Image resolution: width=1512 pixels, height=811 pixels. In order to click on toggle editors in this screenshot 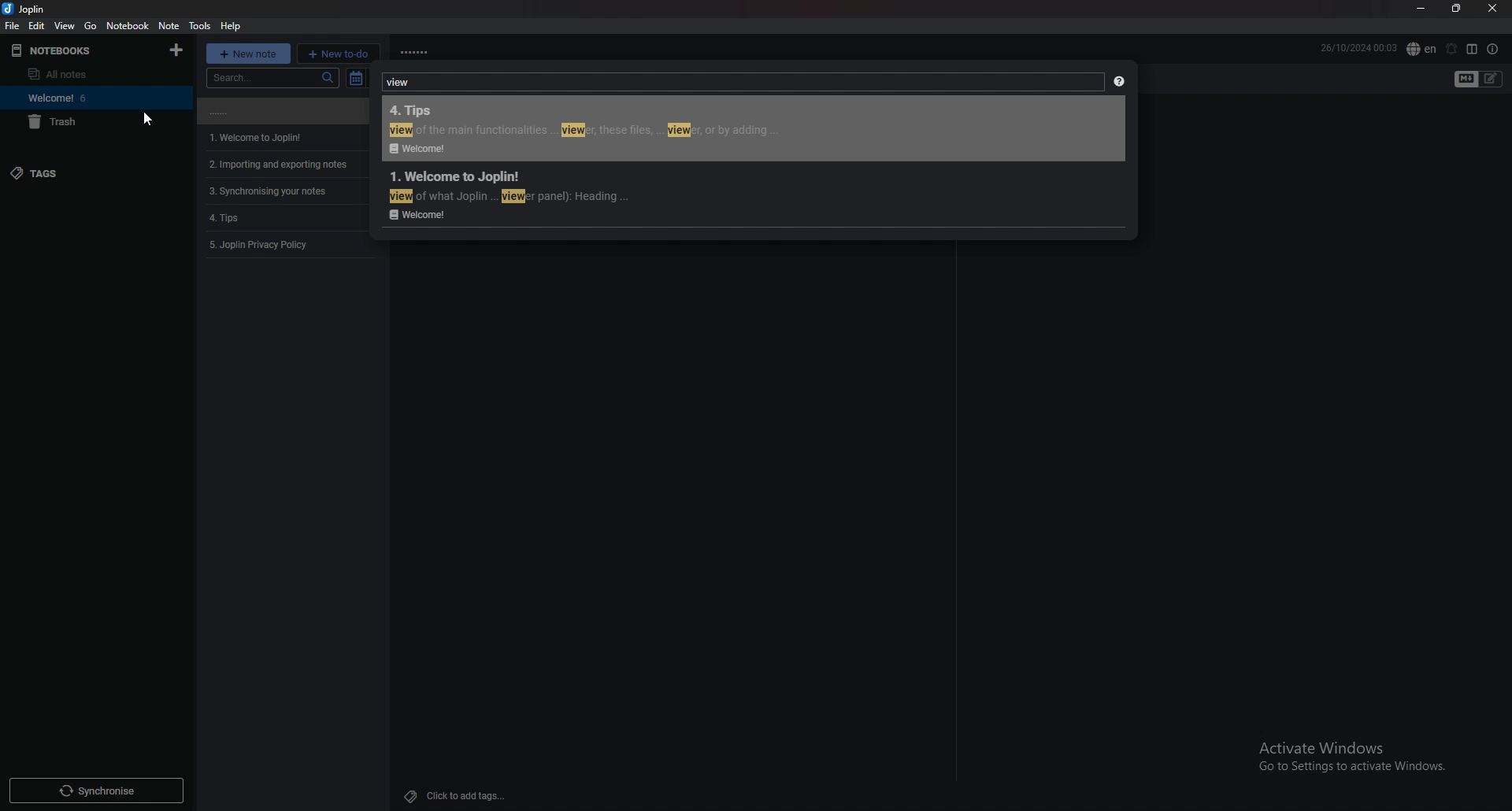, I will do `click(1467, 80)`.